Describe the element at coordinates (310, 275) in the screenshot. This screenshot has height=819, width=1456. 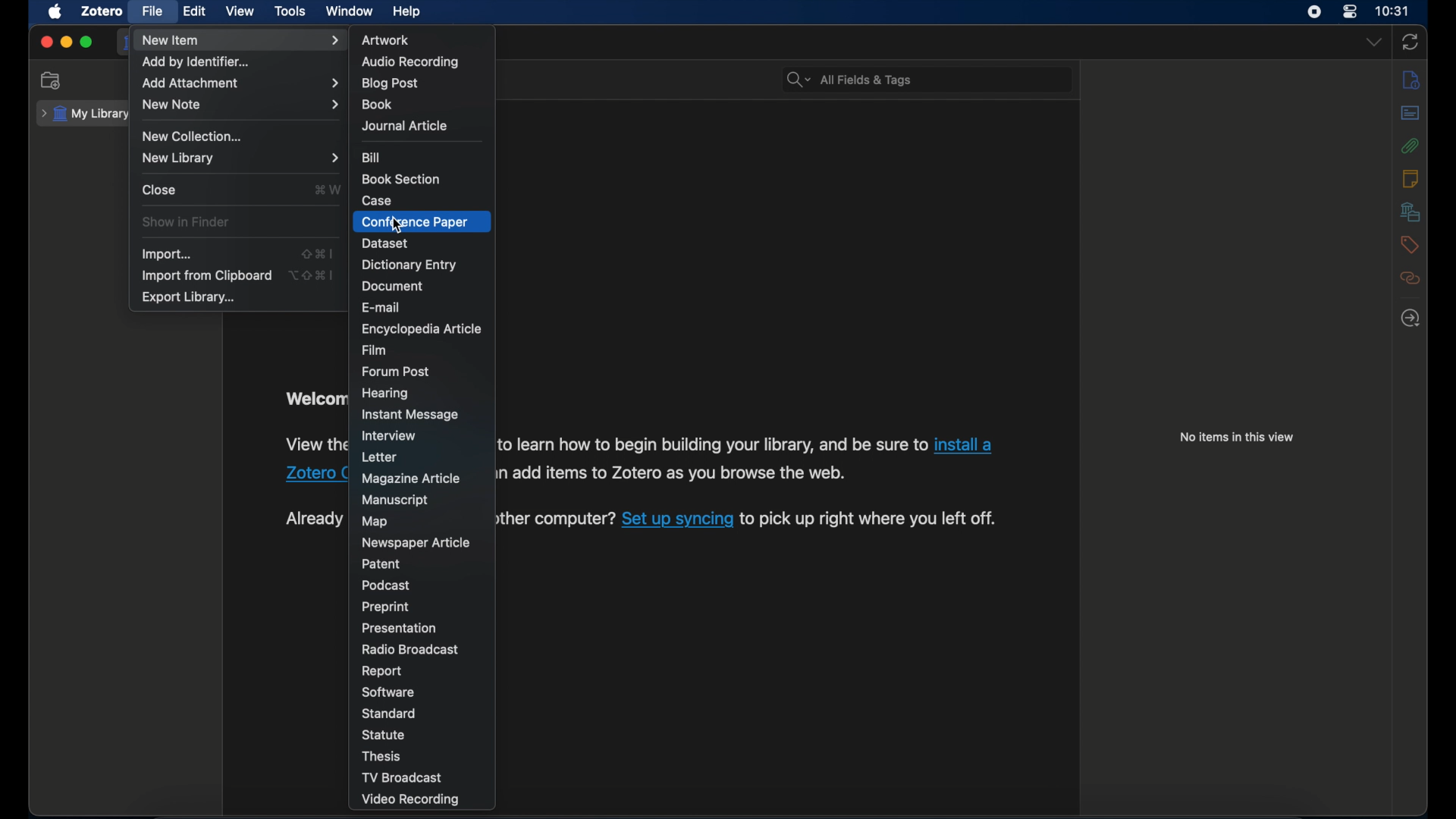
I see `shortcut` at that location.